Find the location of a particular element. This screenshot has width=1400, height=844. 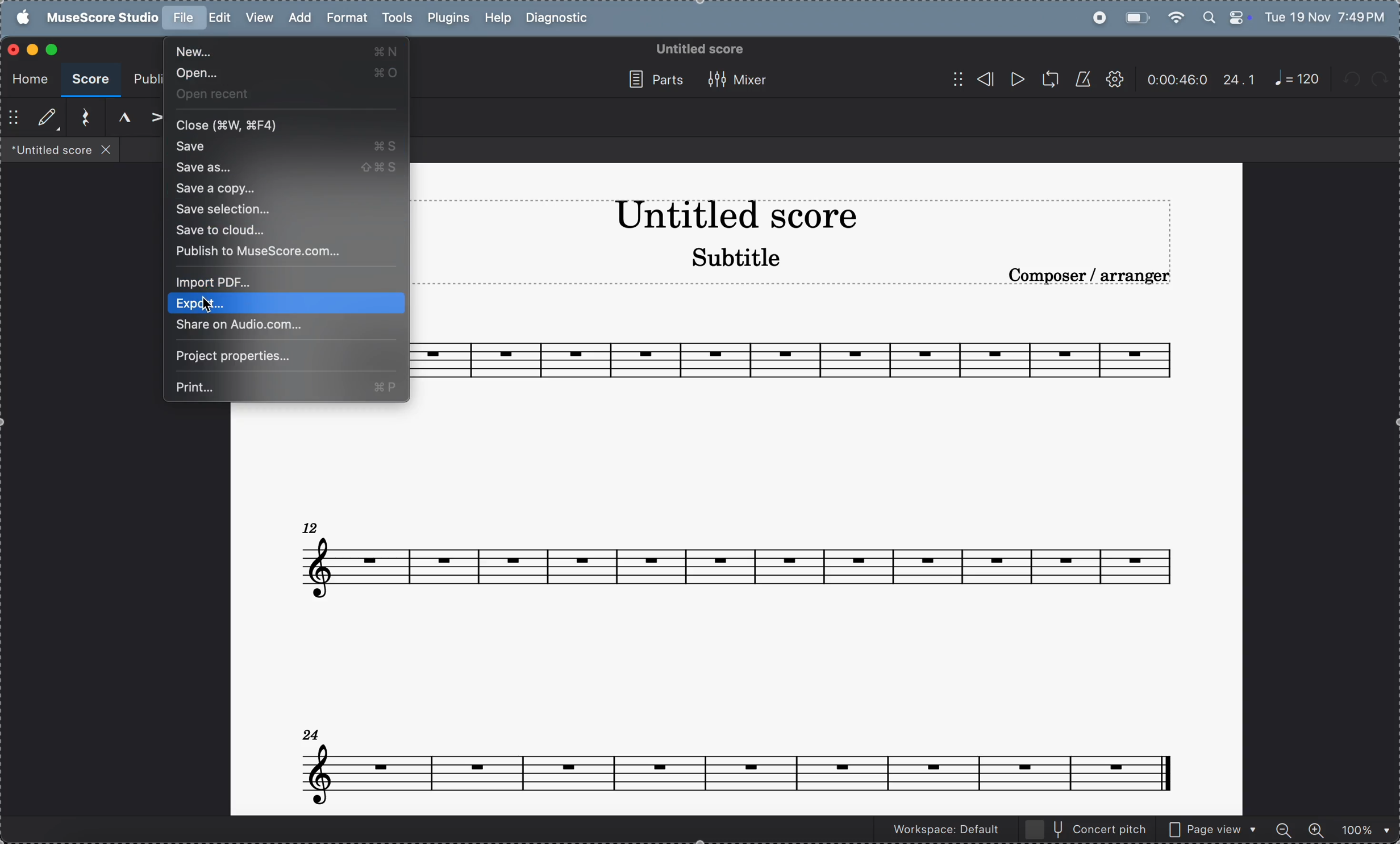

edit is located at coordinates (220, 18).